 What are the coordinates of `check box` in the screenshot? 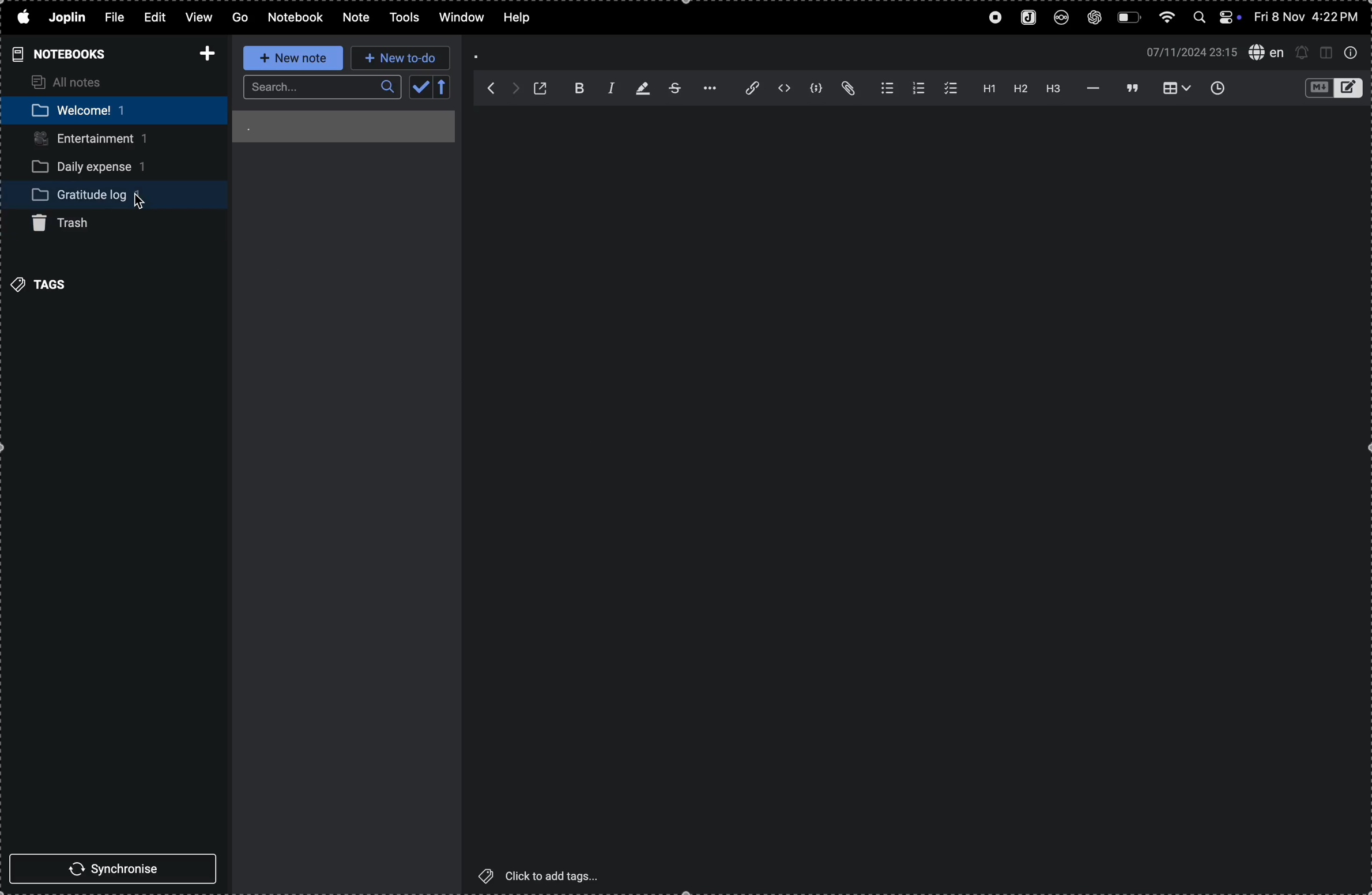 It's located at (949, 88).